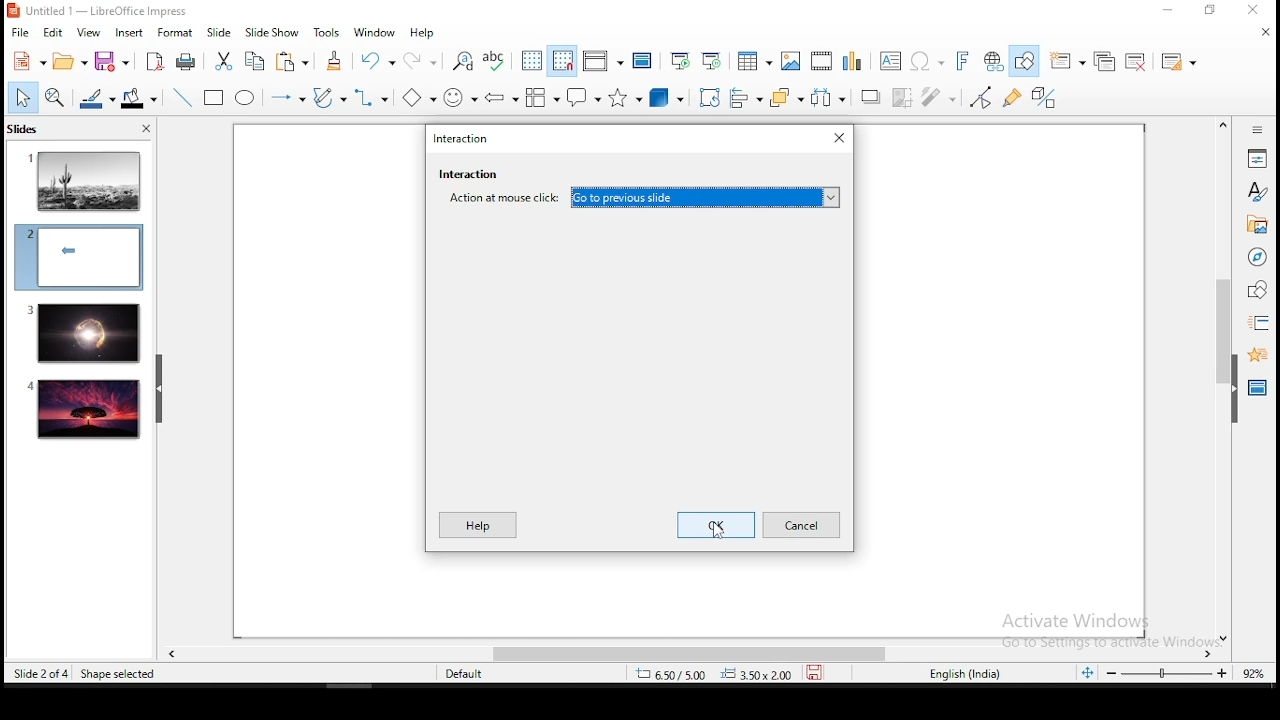 Image resolution: width=1280 pixels, height=720 pixels. Describe the element at coordinates (852, 61) in the screenshot. I see `charts` at that location.